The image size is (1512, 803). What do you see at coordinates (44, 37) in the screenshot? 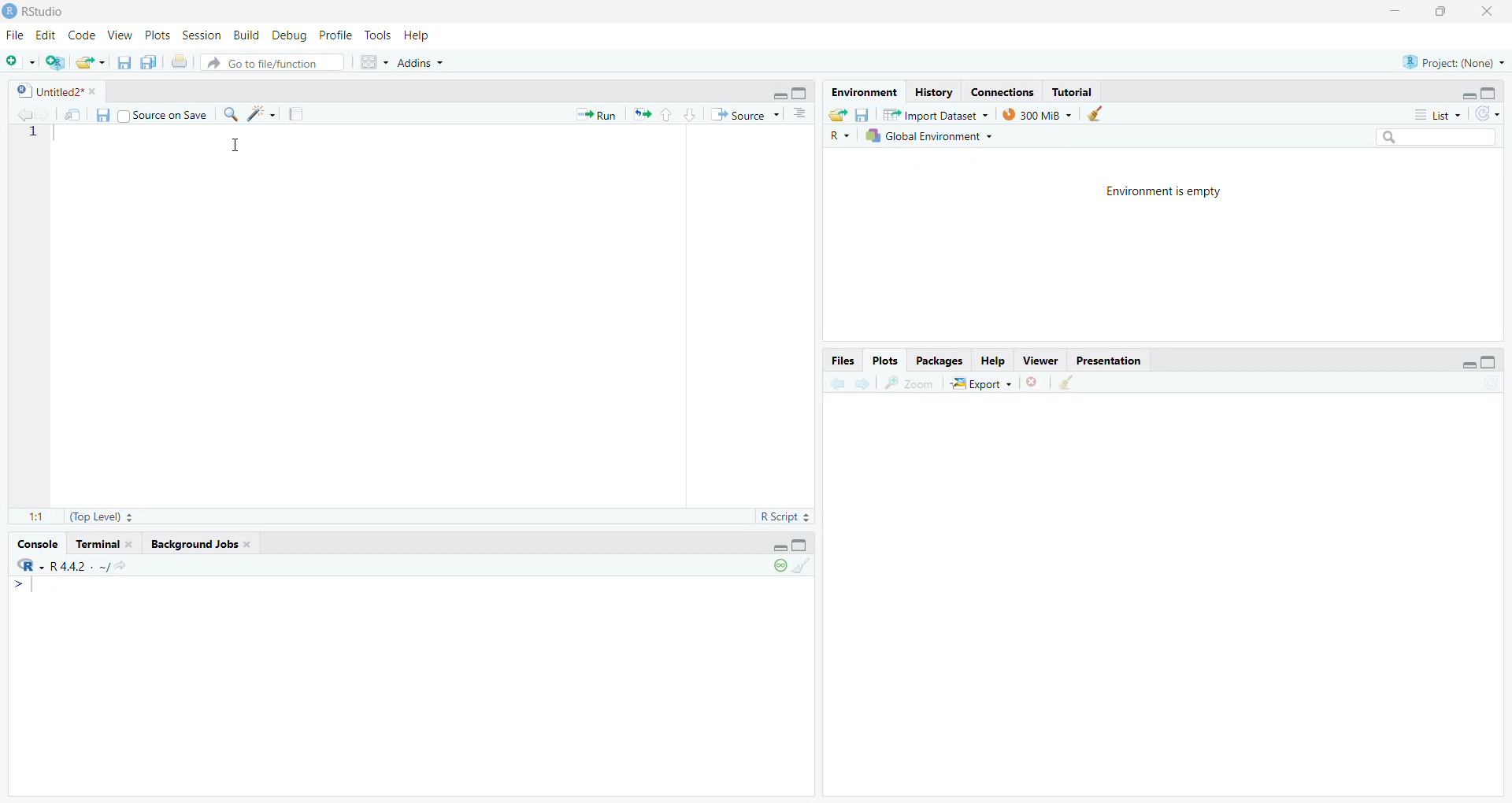
I see `Edit` at bounding box center [44, 37].